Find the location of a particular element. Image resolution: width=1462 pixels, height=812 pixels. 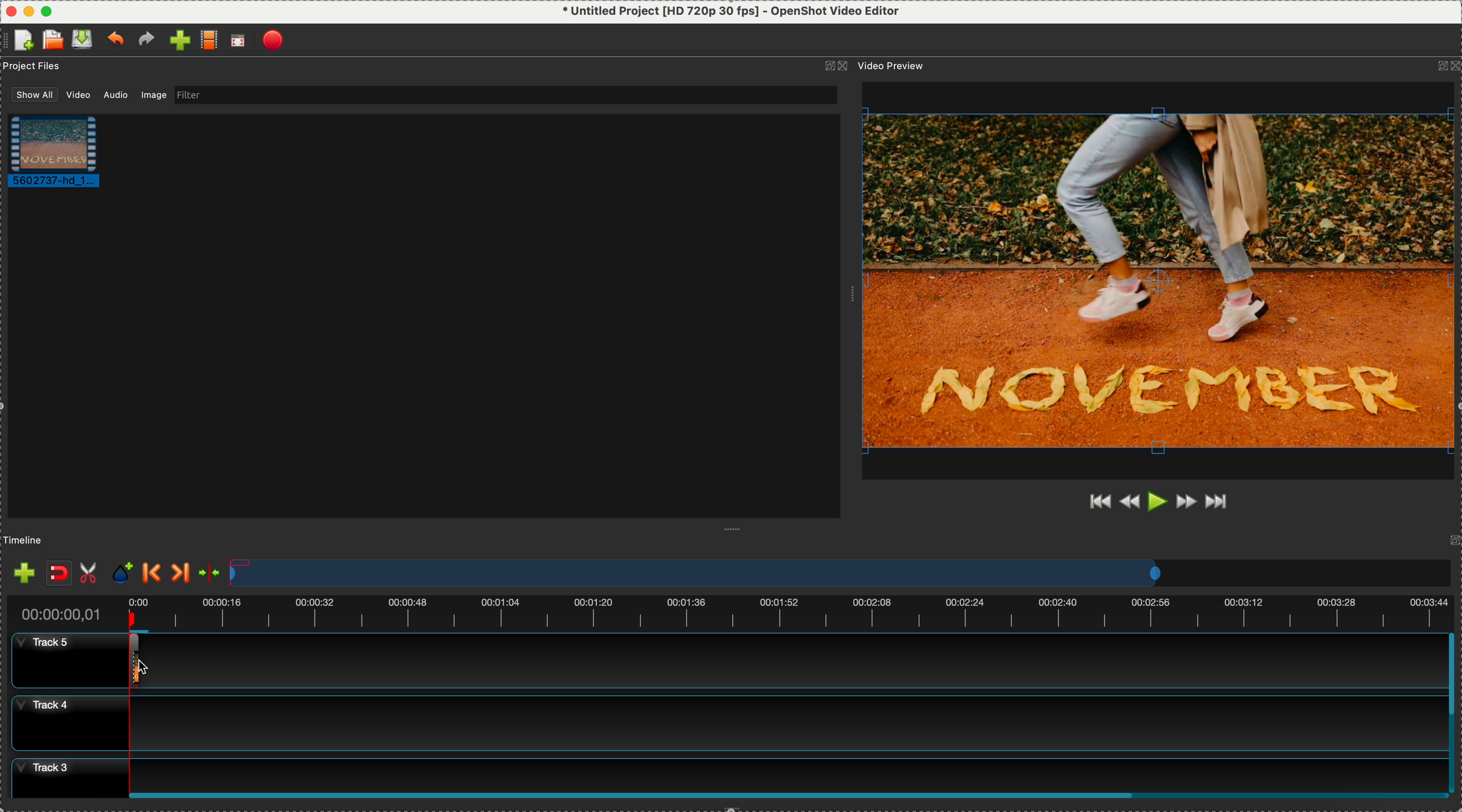

icons is located at coordinates (1447, 67).